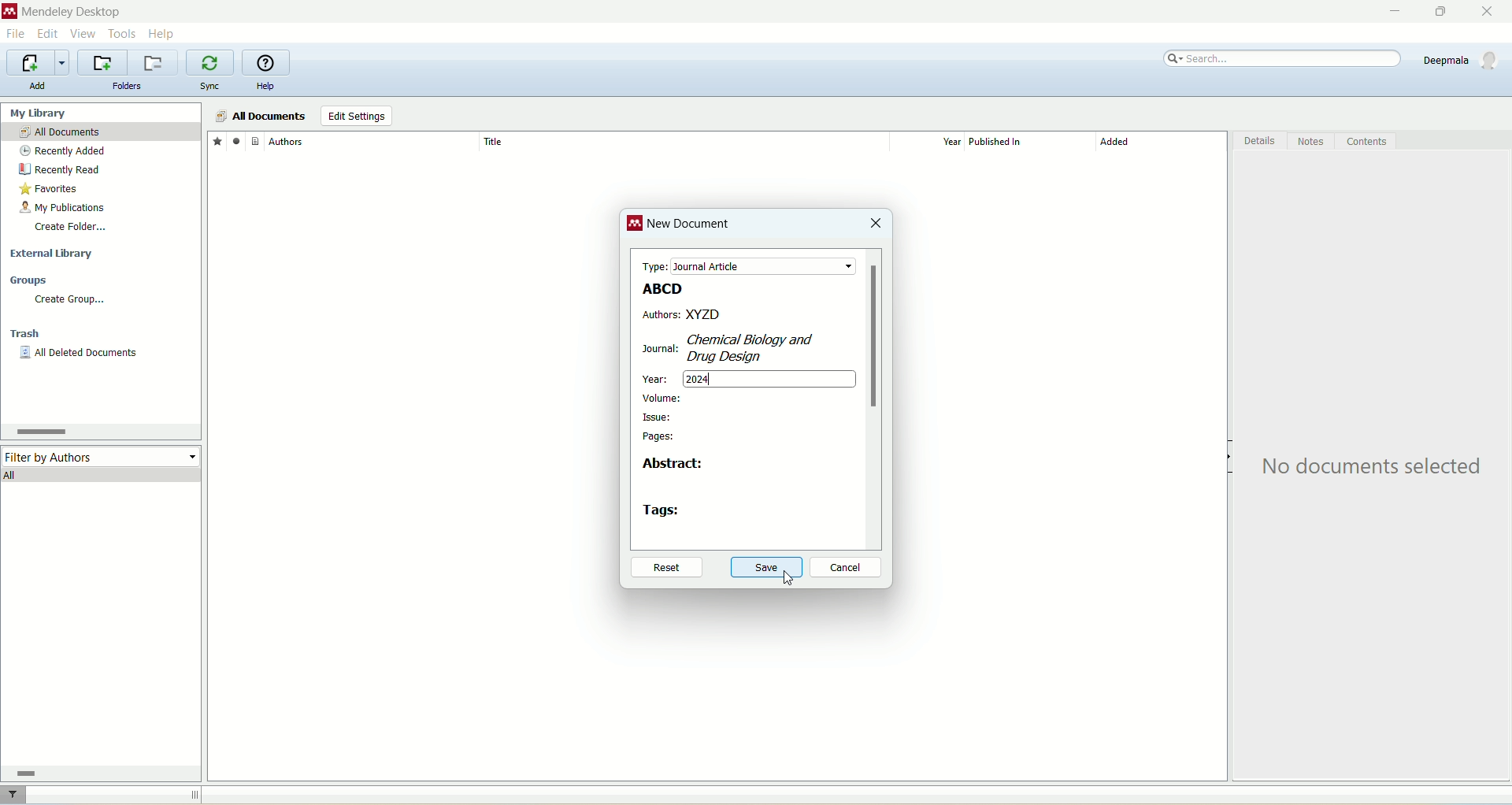 This screenshot has height=805, width=1512. Describe the element at coordinates (234, 140) in the screenshot. I see `read/unread` at that location.